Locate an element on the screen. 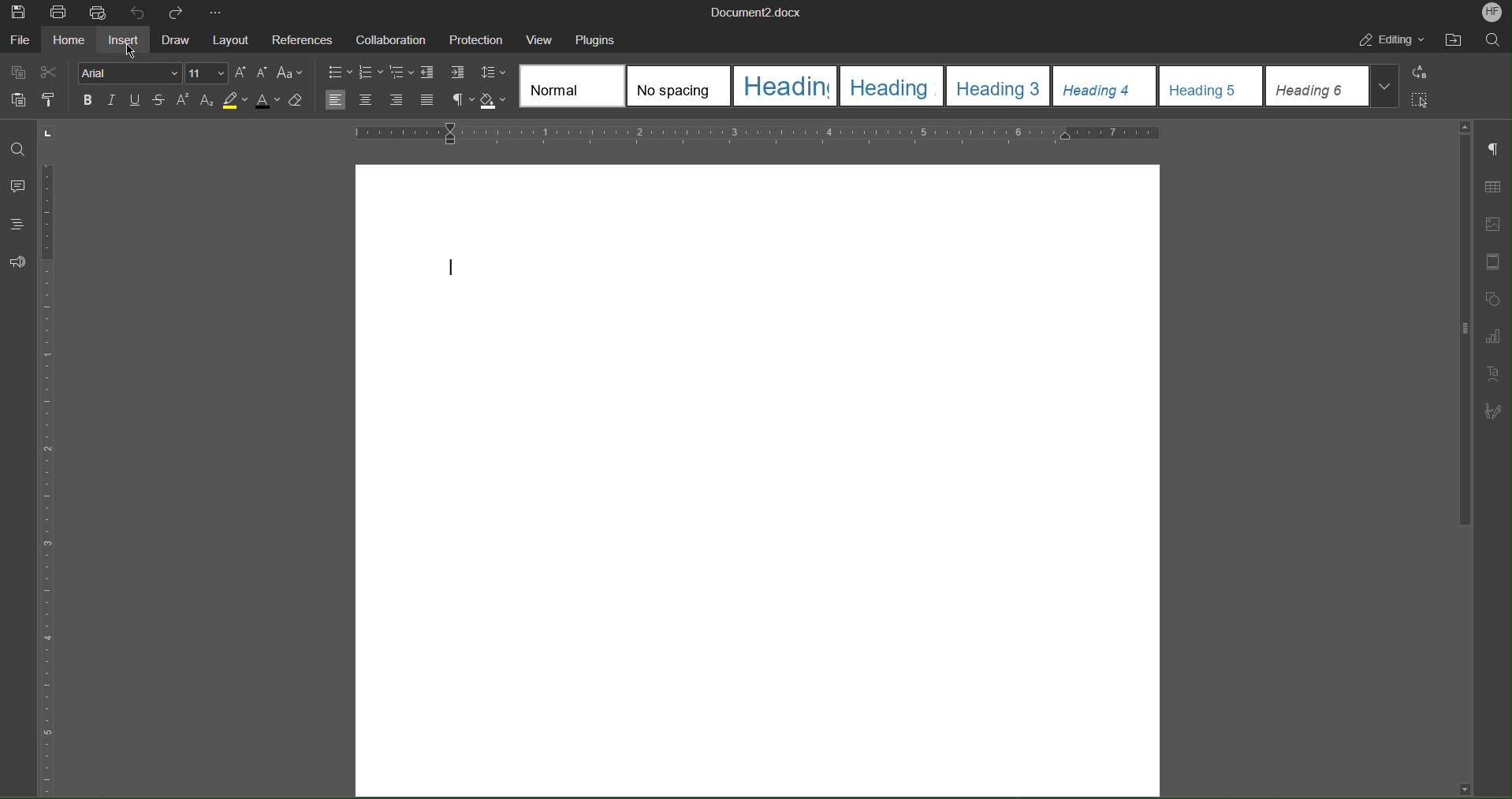 Image resolution: width=1512 pixels, height=799 pixels. Table is located at coordinates (1492, 188).